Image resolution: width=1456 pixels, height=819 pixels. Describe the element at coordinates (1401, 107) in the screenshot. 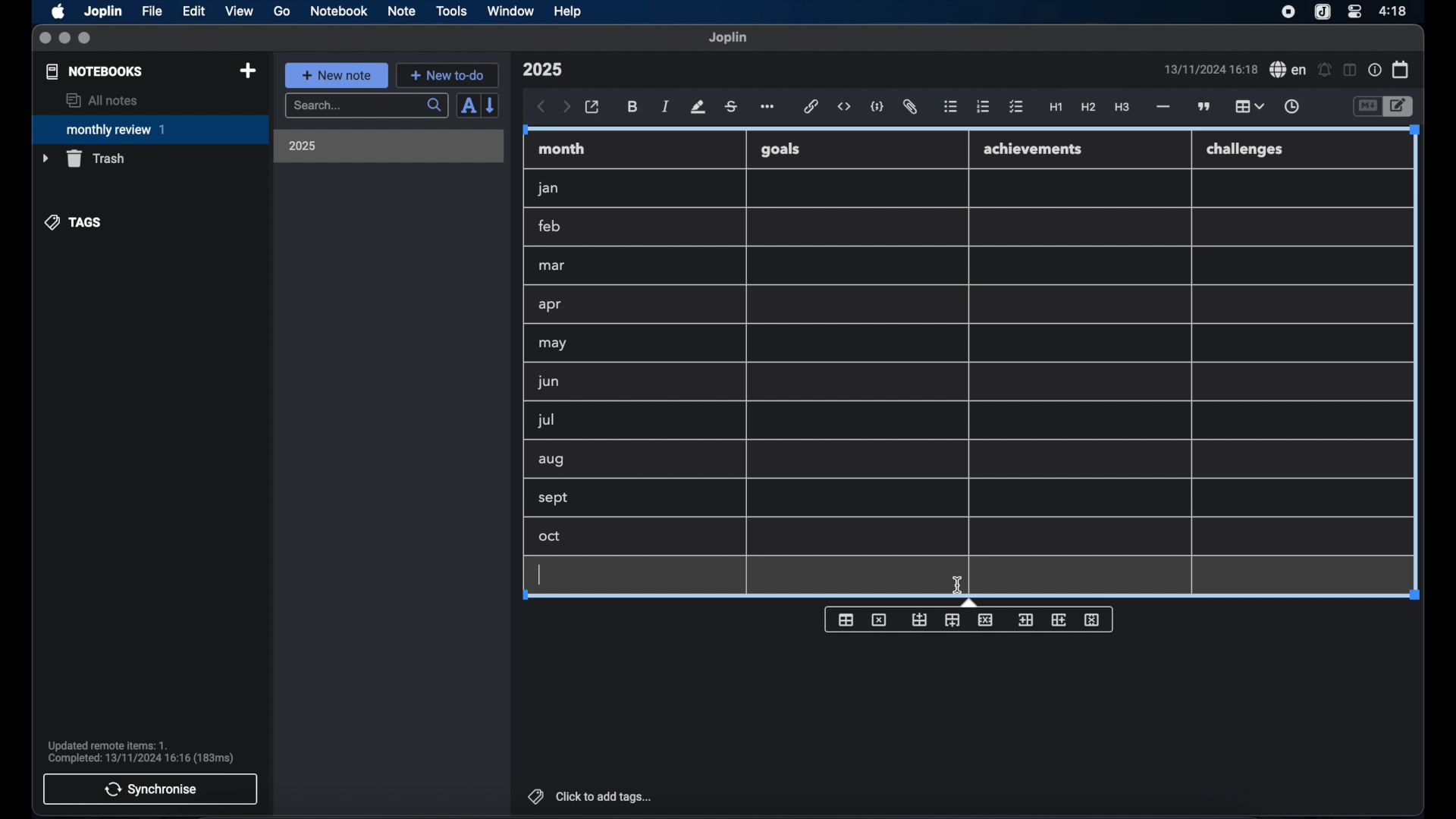

I see `toggle editor` at that location.